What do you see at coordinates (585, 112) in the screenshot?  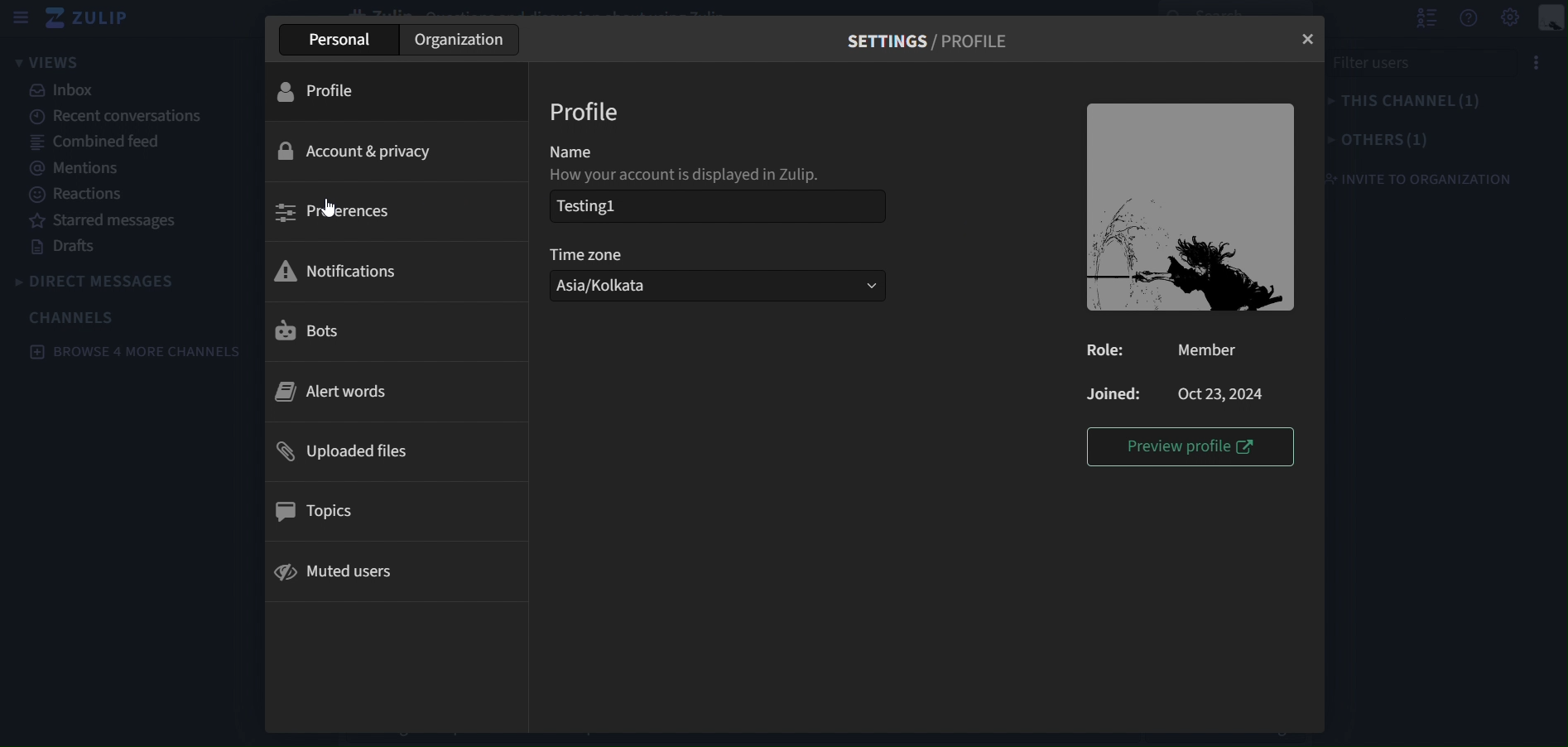 I see `profile` at bounding box center [585, 112].